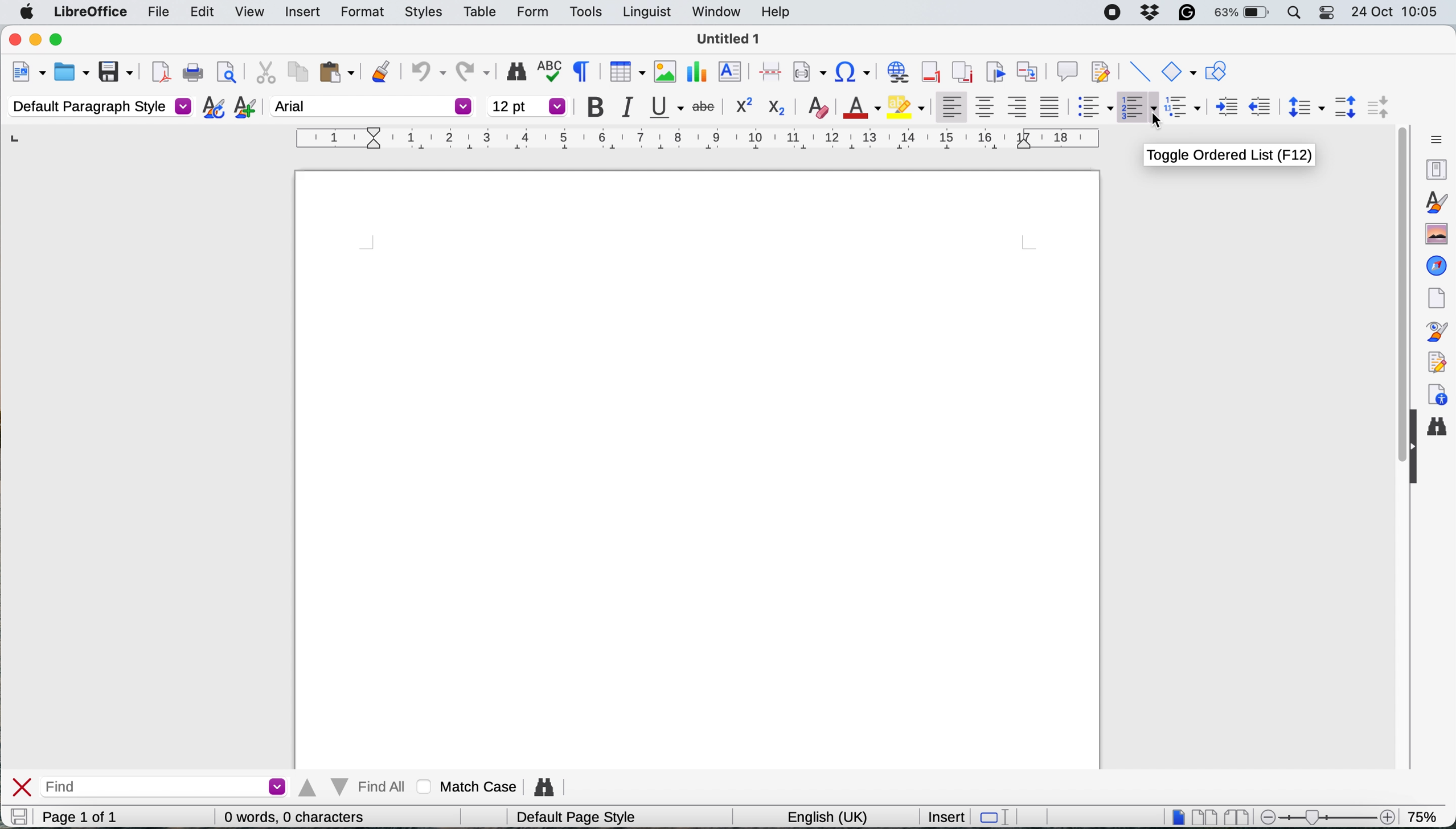 This screenshot has height=829, width=1456. What do you see at coordinates (699, 141) in the screenshot?
I see `horizontal scale` at bounding box center [699, 141].